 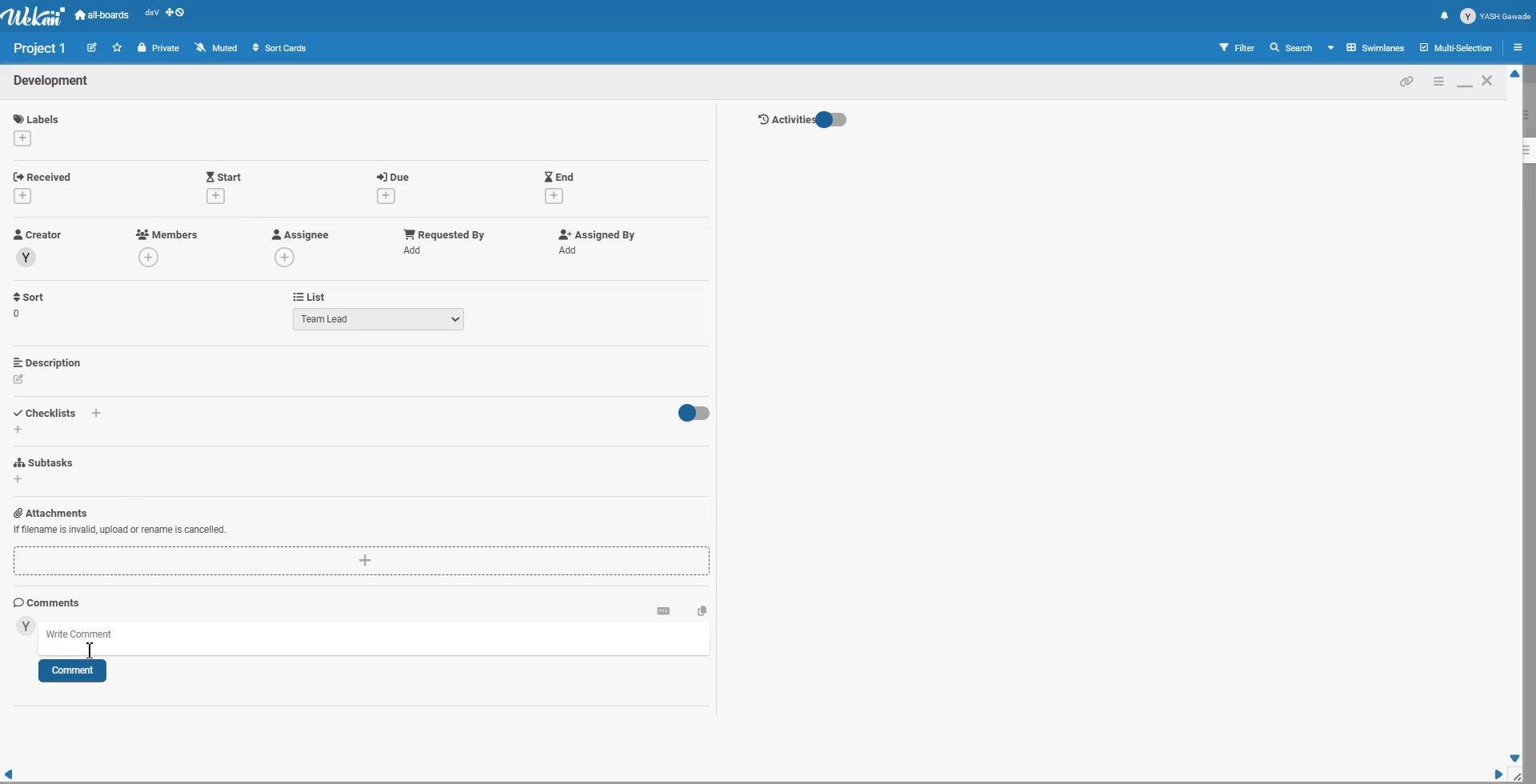 What do you see at coordinates (1444, 15) in the screenshot?
I see `Notification` at bounding box center [1444, 15].